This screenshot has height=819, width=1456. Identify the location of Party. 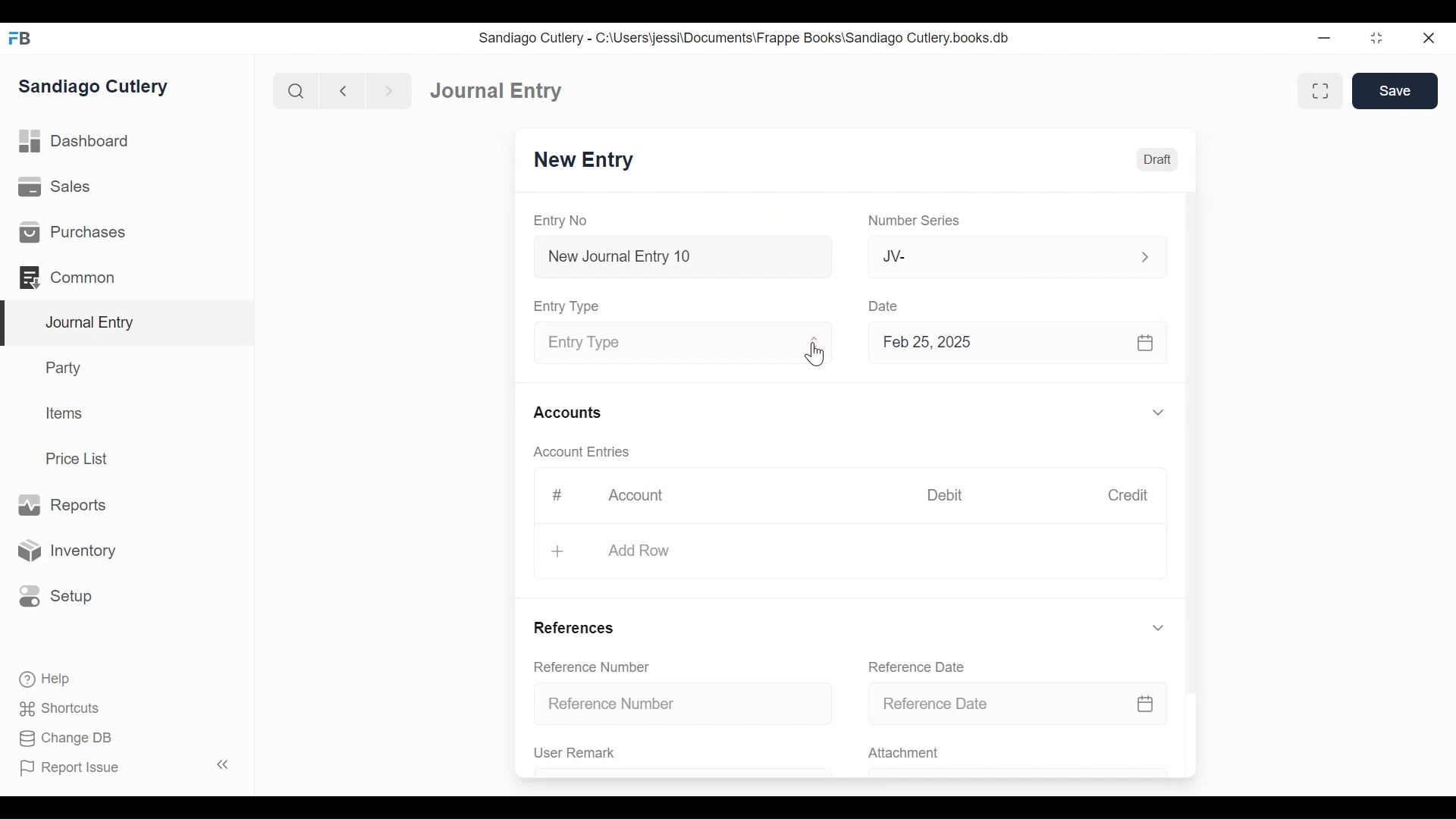
(61, 368).